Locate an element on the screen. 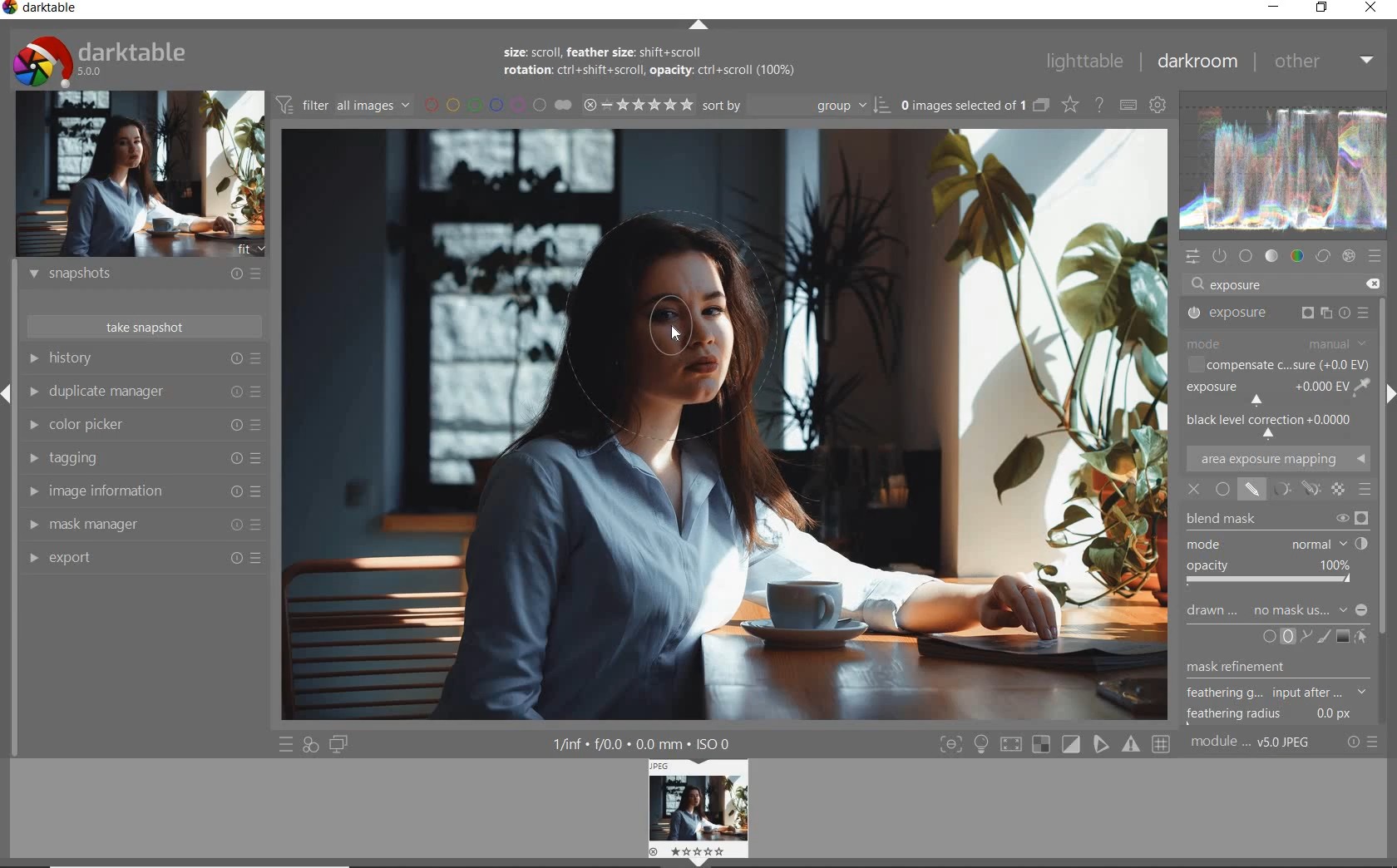 The image size is (1397, 868). BLENDING MODE is located at coordinates (1365, 491).